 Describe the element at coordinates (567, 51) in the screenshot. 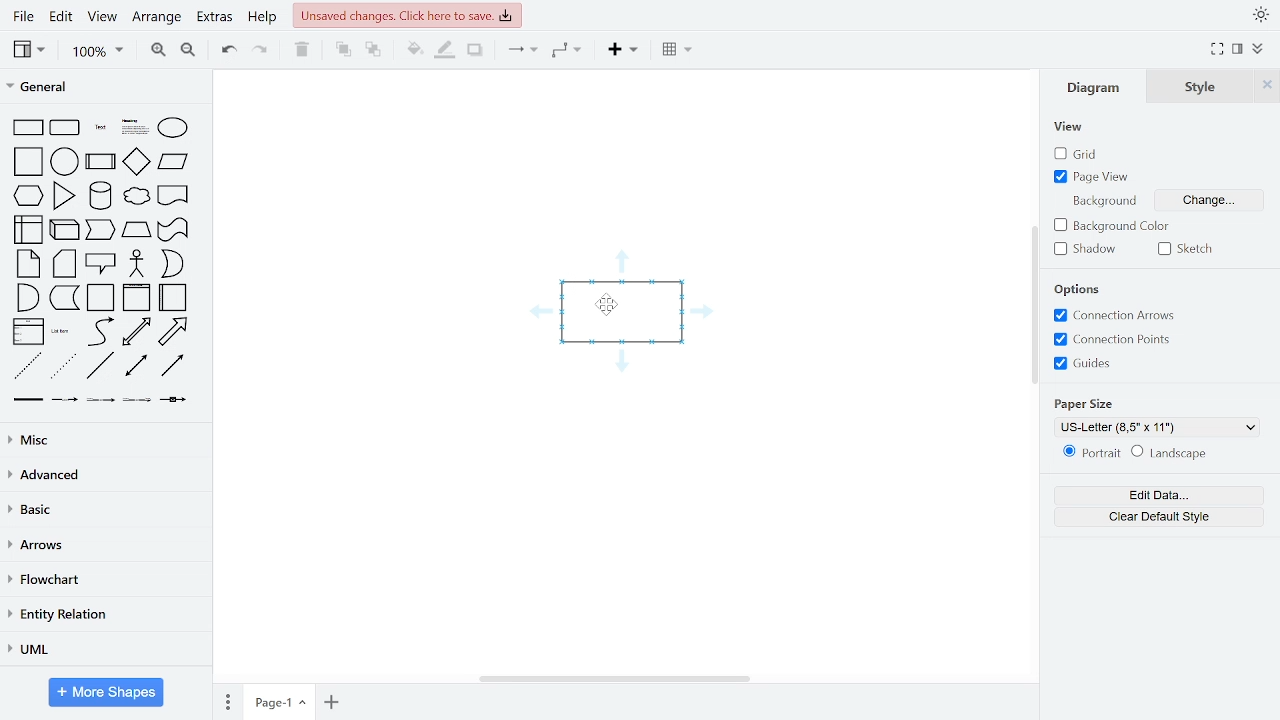

I see `waypoints` at that location.